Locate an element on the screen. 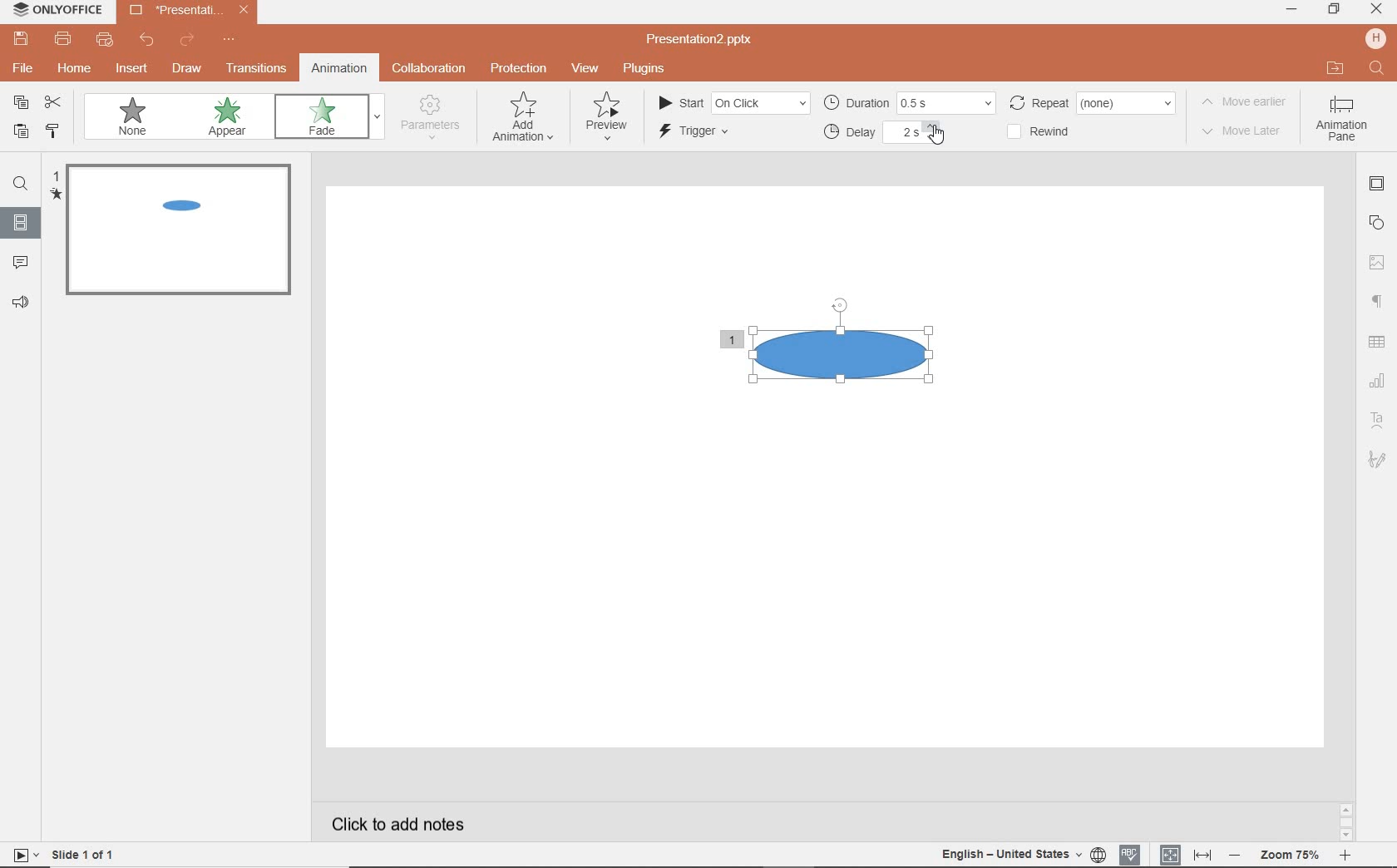 This screenshot has height=868, width=1397. COPY STYLE is located at coordinates (50, 131).